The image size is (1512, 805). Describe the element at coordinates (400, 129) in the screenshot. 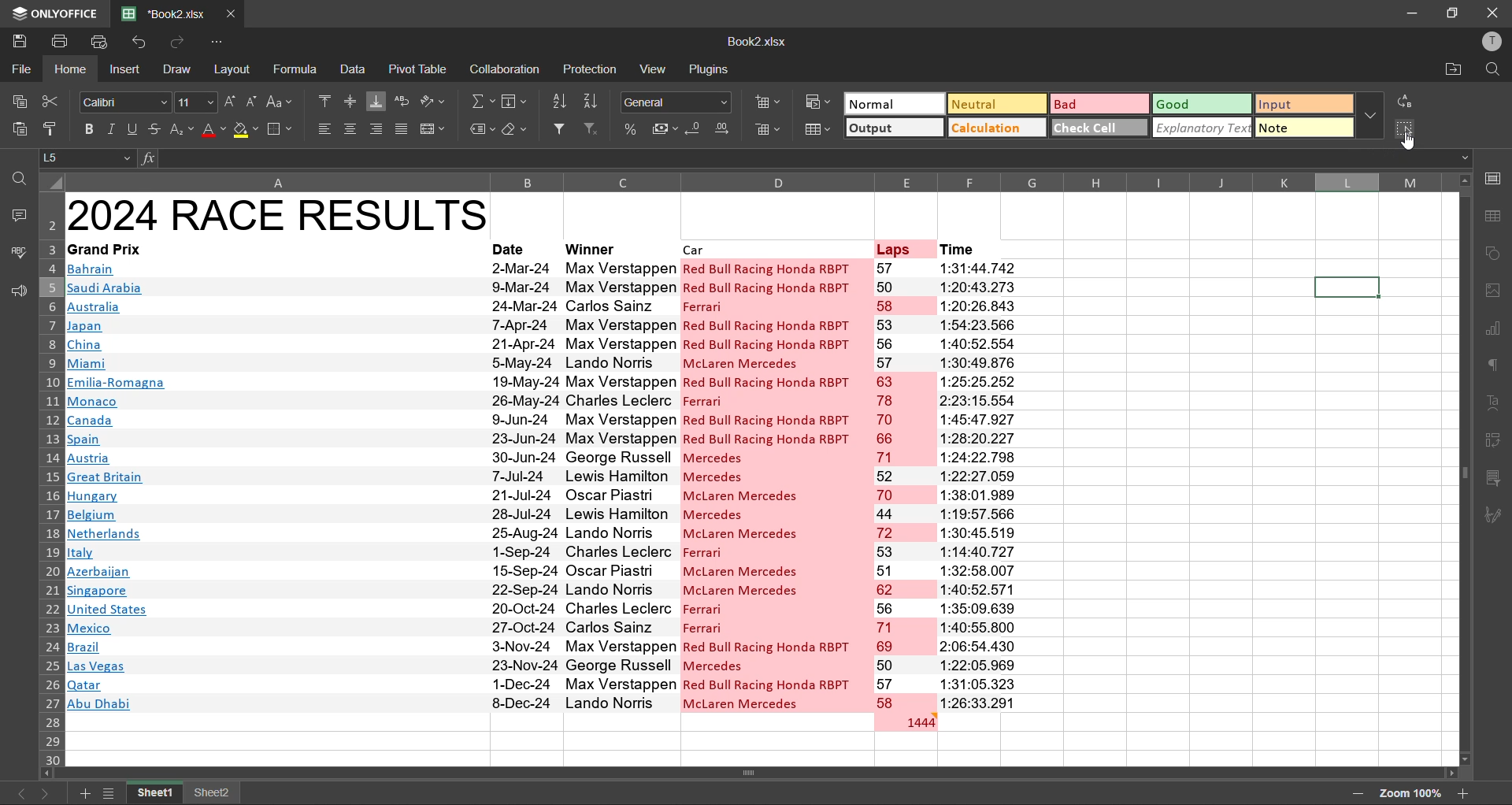

I see `justified` at that location.